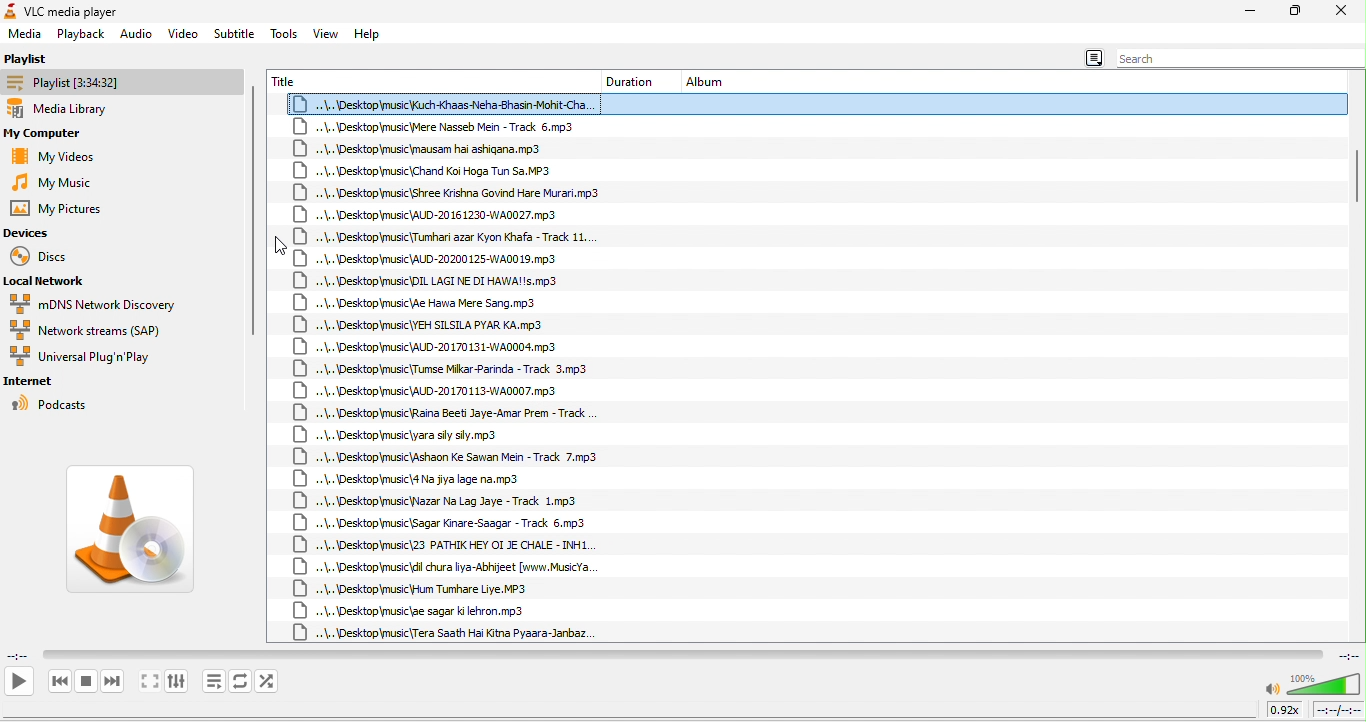 This screenshot has width=1366, height=722. I want to click on 0.92x, so click(1287, 709).